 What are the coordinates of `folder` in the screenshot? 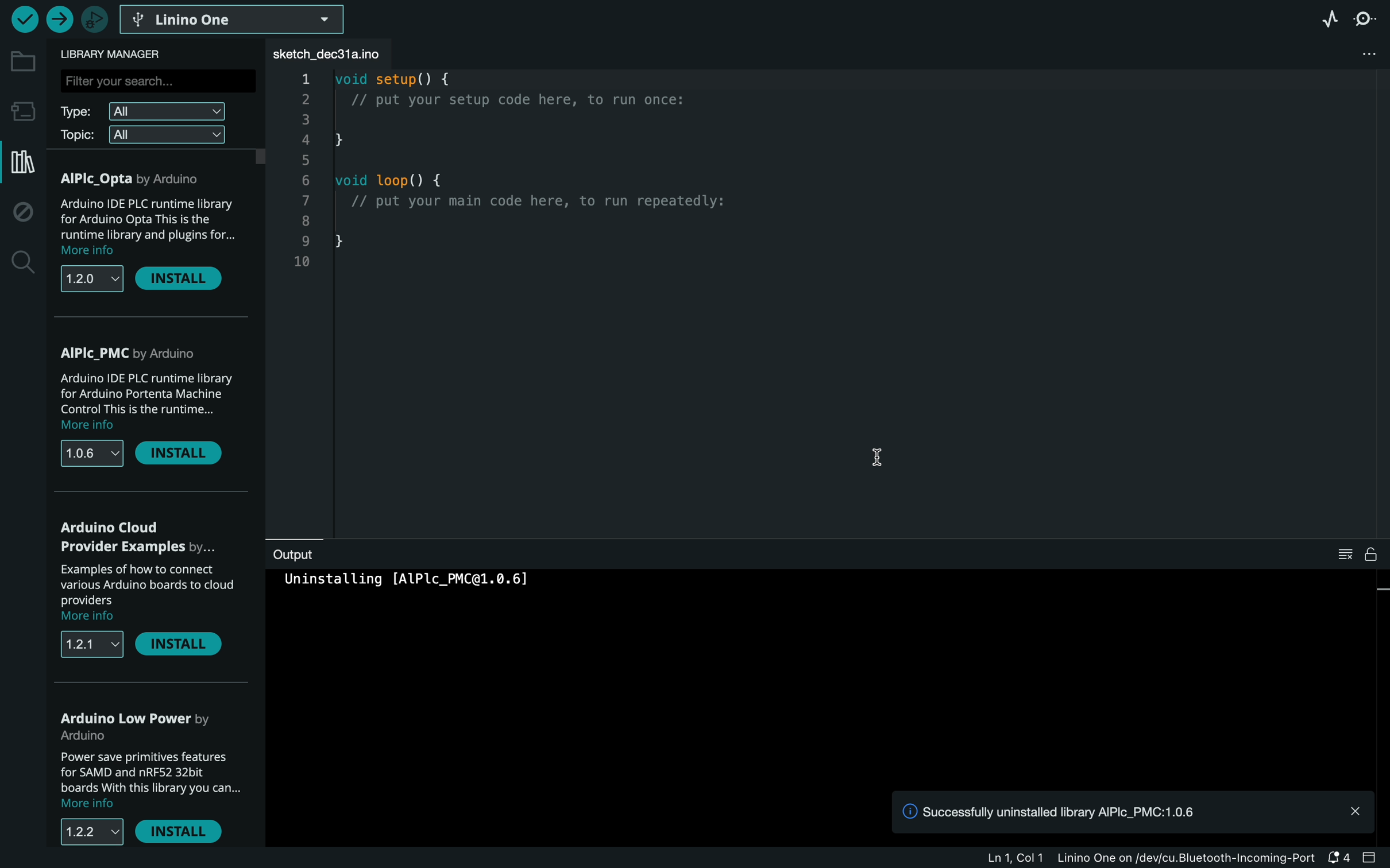 It's located at (22, 61).